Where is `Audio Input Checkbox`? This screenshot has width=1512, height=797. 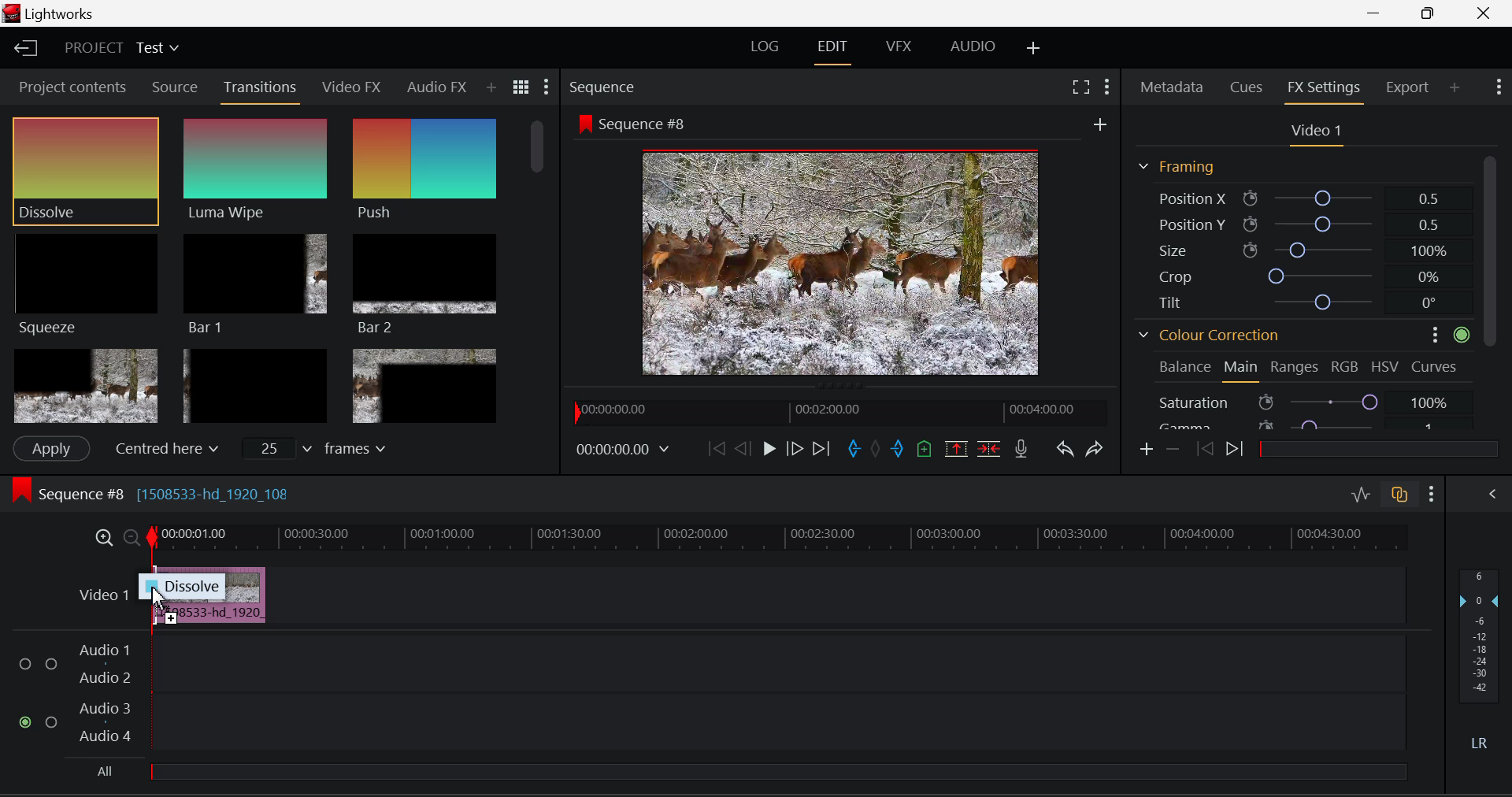
Audio Input Checkbox is located at coordinates (51, 662).